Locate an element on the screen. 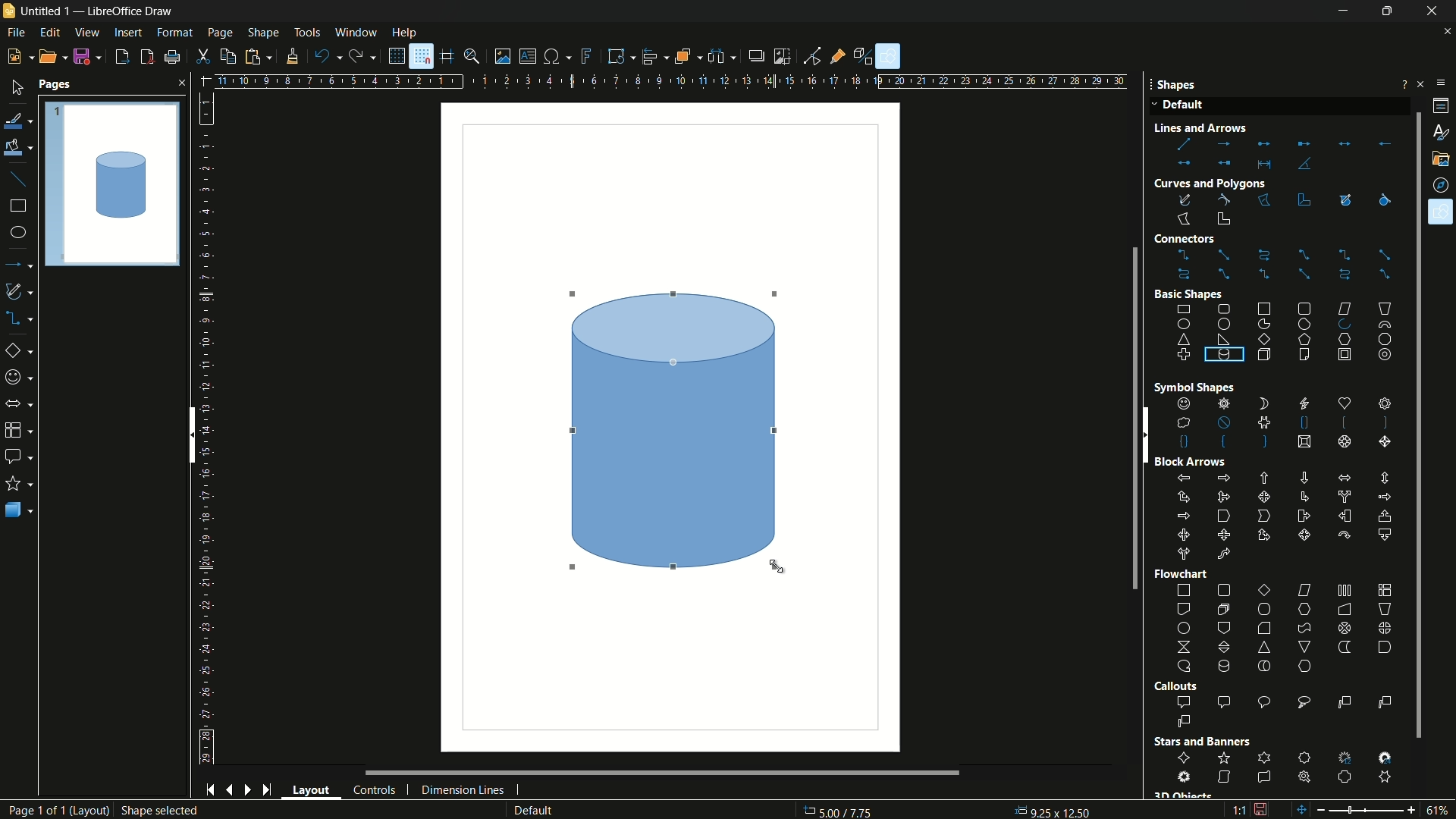  line color is located at coordinates (17, 122).